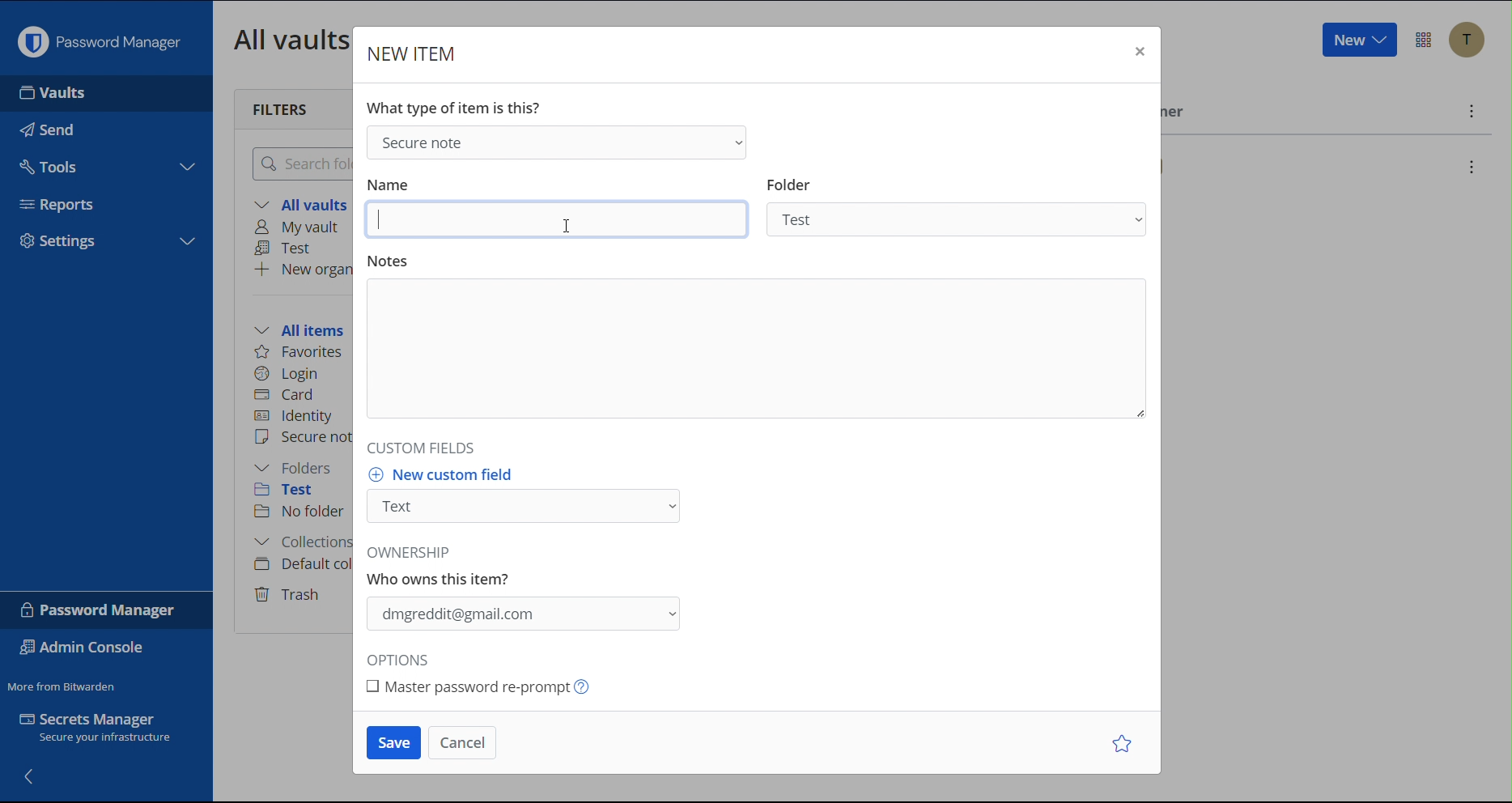 This screenshot has height=803, width=1512. Describe the element at coordinates (64, 683) in the screenshot. I see `More from Bitwarden` at that location.